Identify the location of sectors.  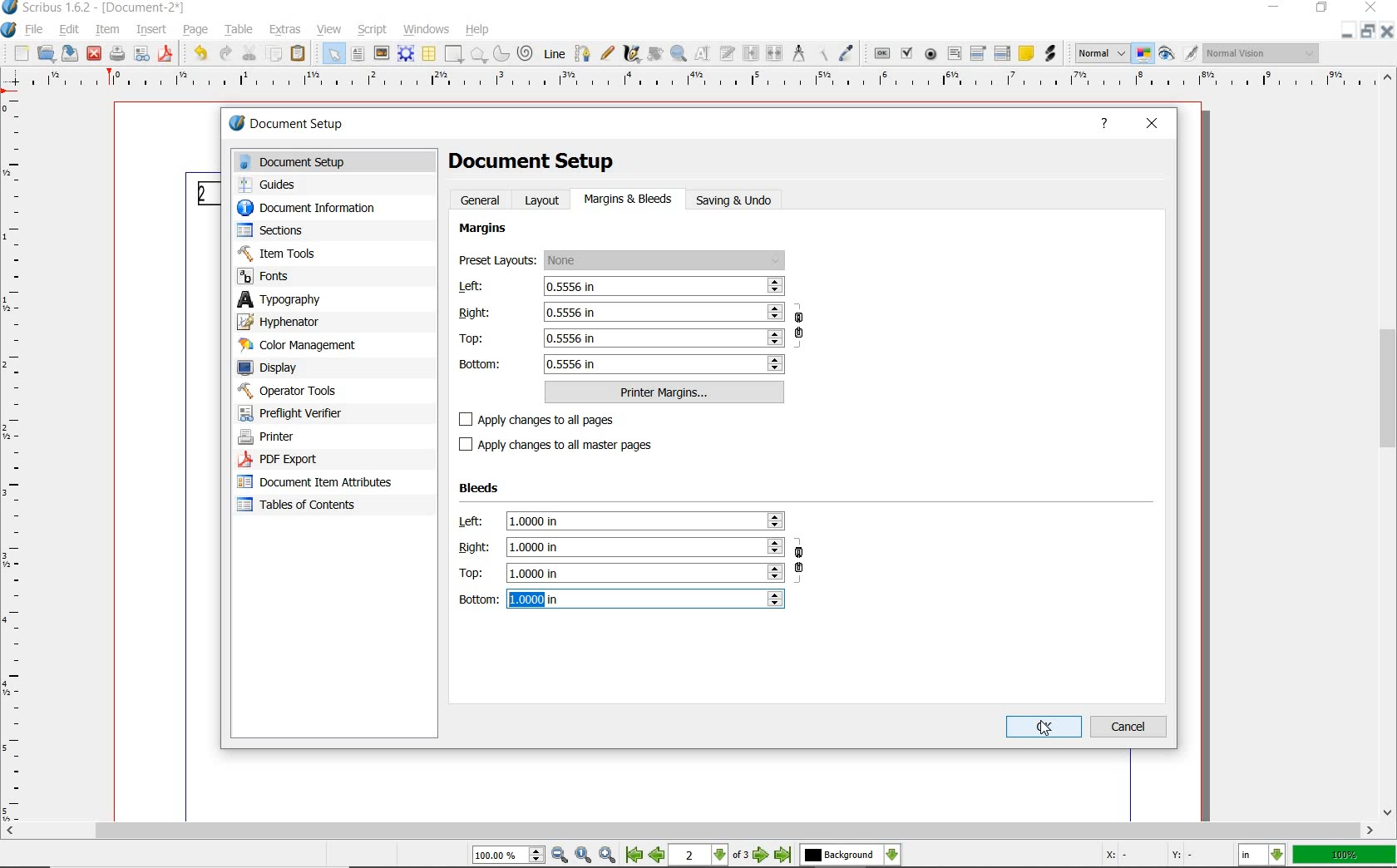
(275, 232).